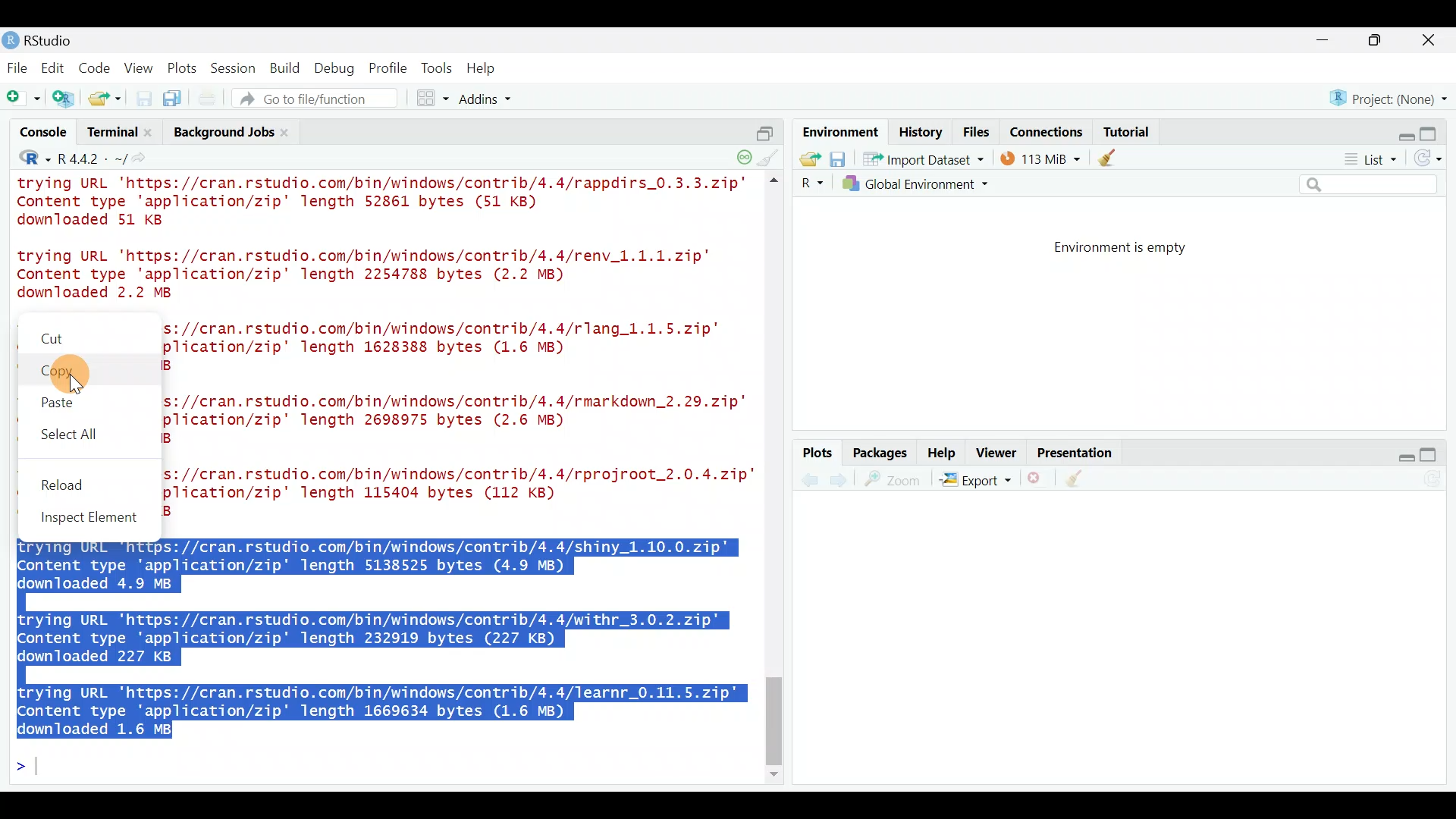 The width and height of the screenshot is (1456, 819). What do you see at coordinates (770, 156) in the screenshot?
I see `clear console` at bounding box center [770, 156].